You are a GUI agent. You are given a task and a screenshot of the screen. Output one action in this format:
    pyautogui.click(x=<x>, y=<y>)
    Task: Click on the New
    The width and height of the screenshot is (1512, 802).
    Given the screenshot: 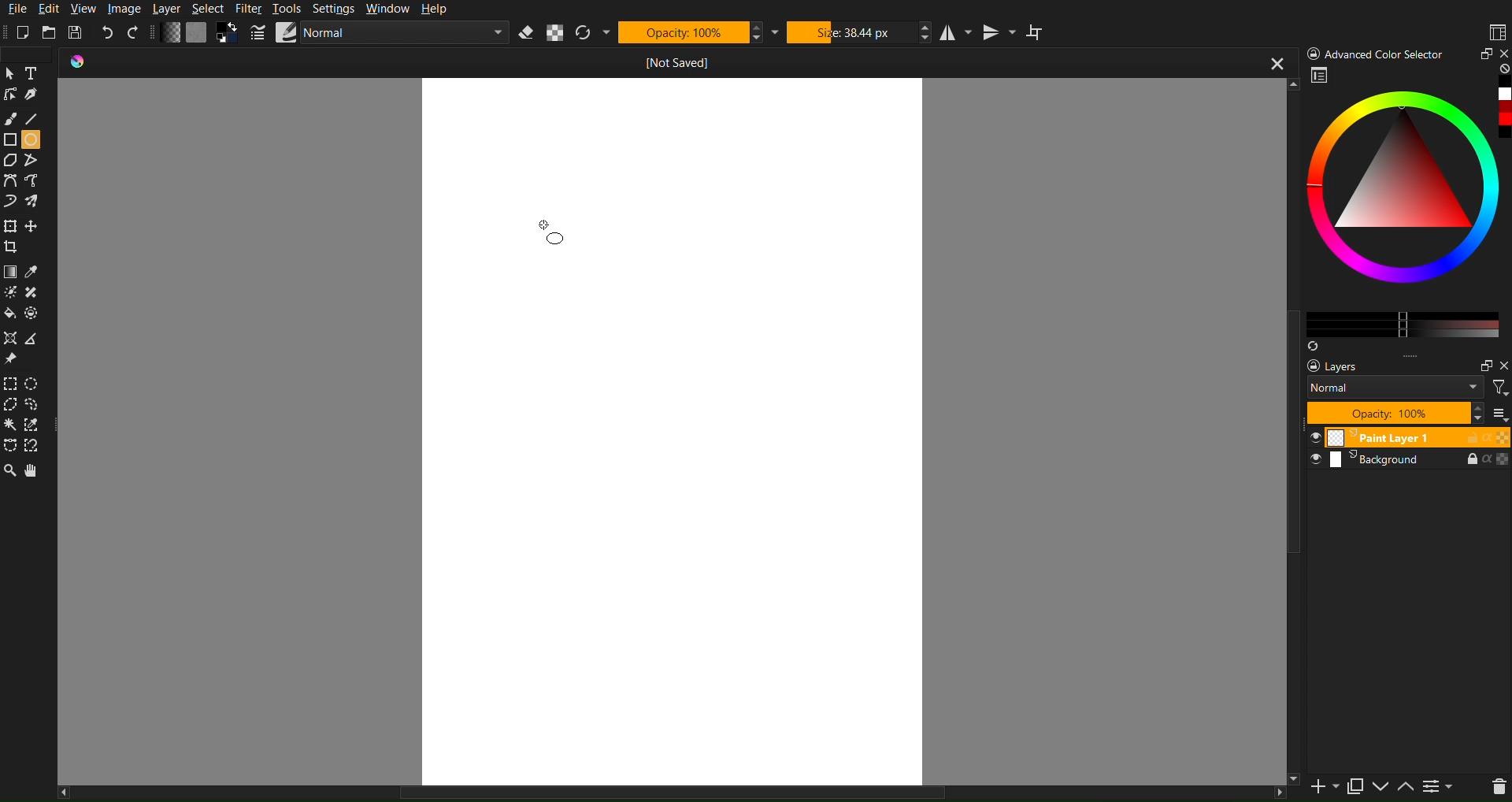 What is the action you would take?
    pyautogui.click(x=31, y=32)
    